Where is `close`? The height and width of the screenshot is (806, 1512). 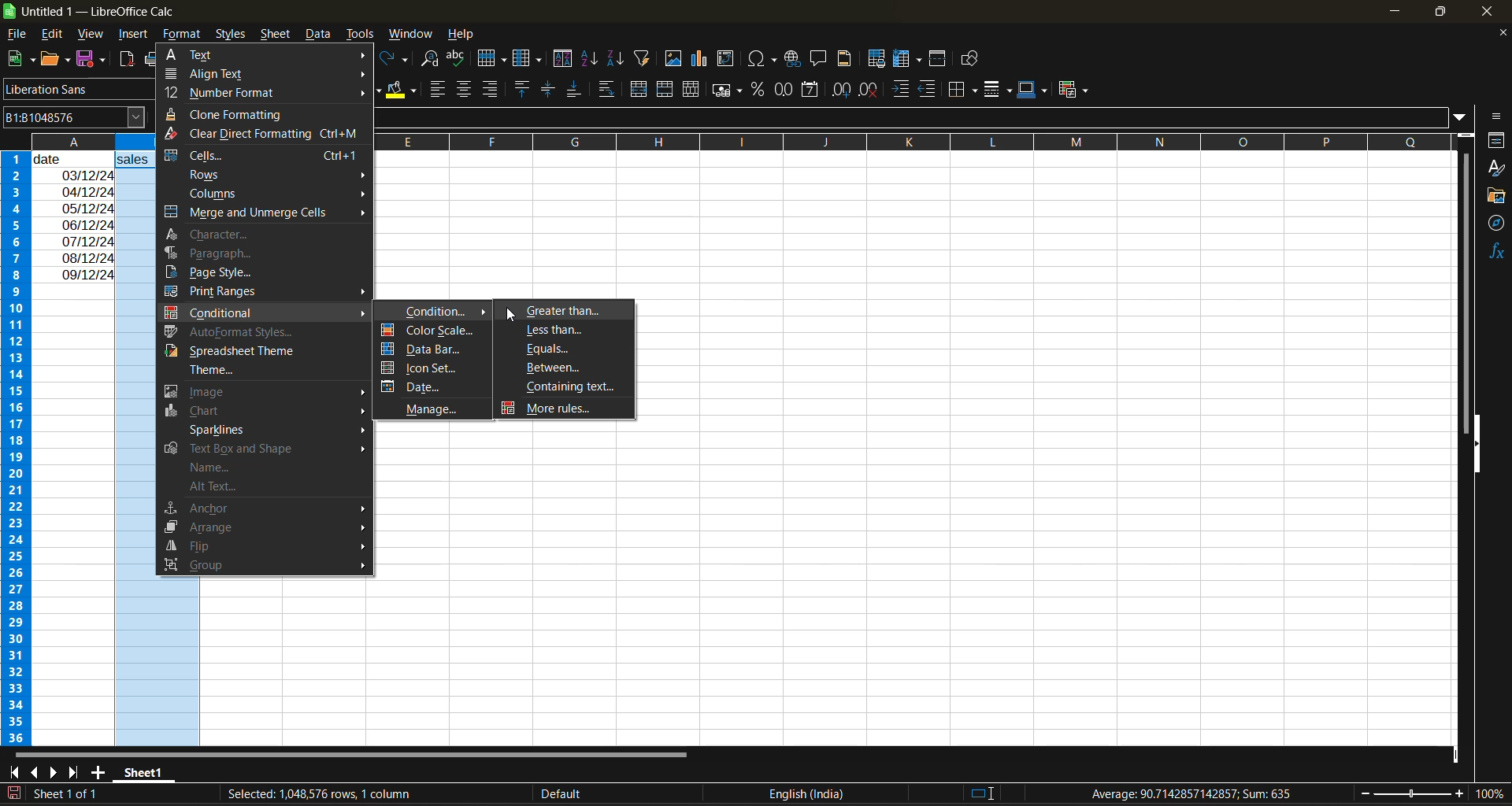 close is located at coordinates (1496, 13).